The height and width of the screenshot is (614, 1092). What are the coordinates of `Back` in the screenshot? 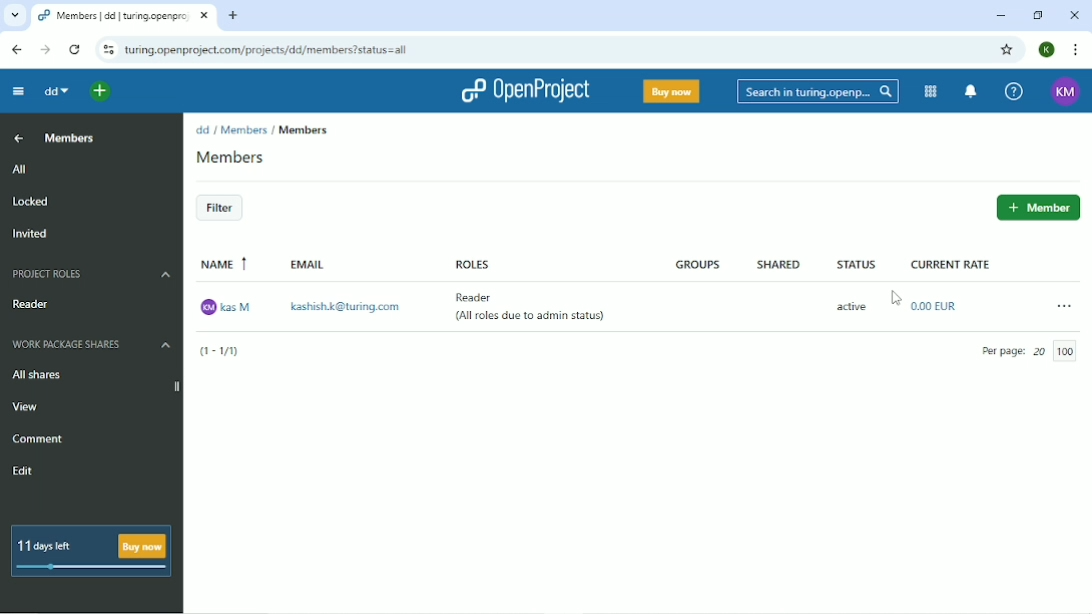 It's located at (14, 48).